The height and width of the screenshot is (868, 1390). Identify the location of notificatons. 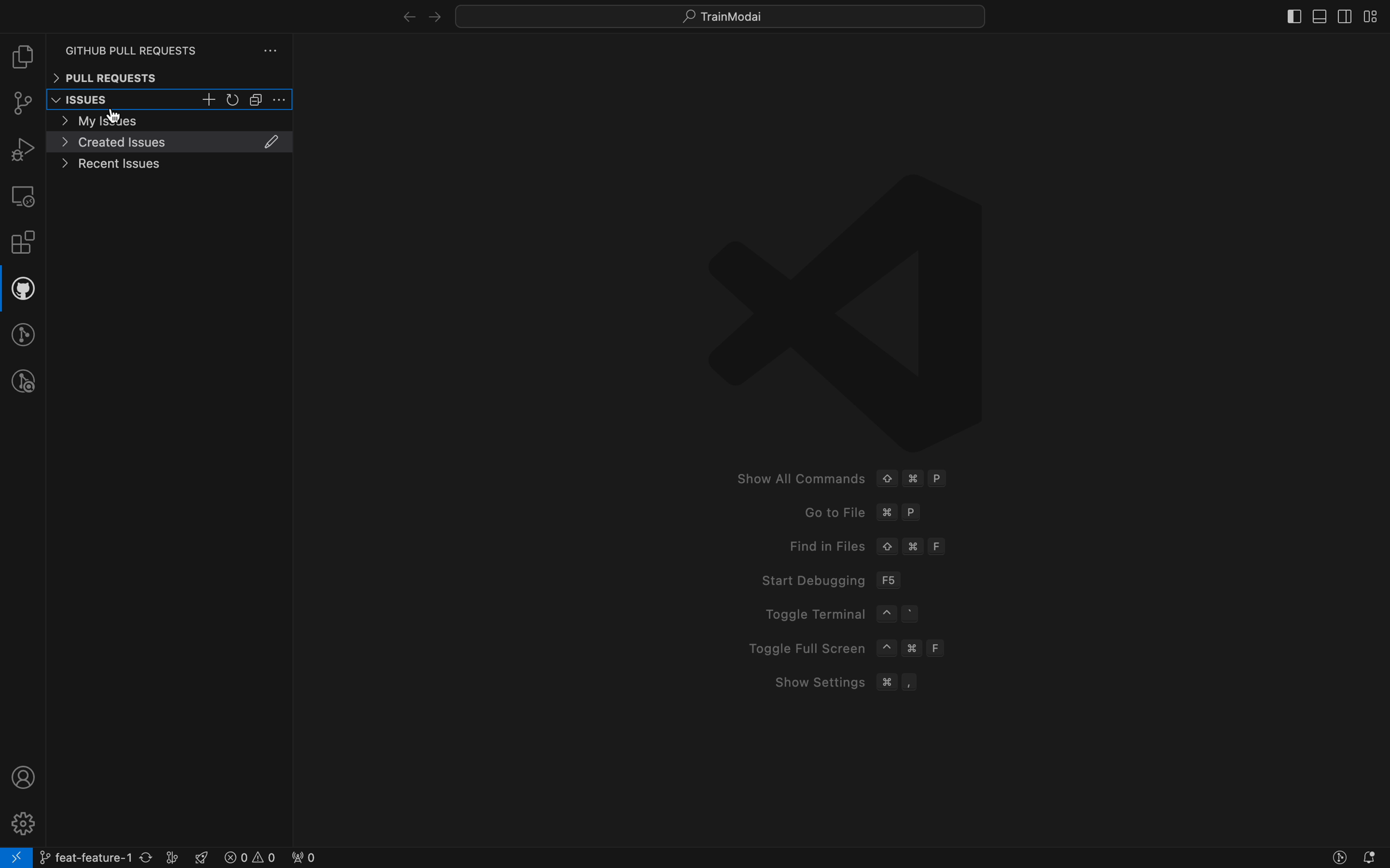
(1373, 857).